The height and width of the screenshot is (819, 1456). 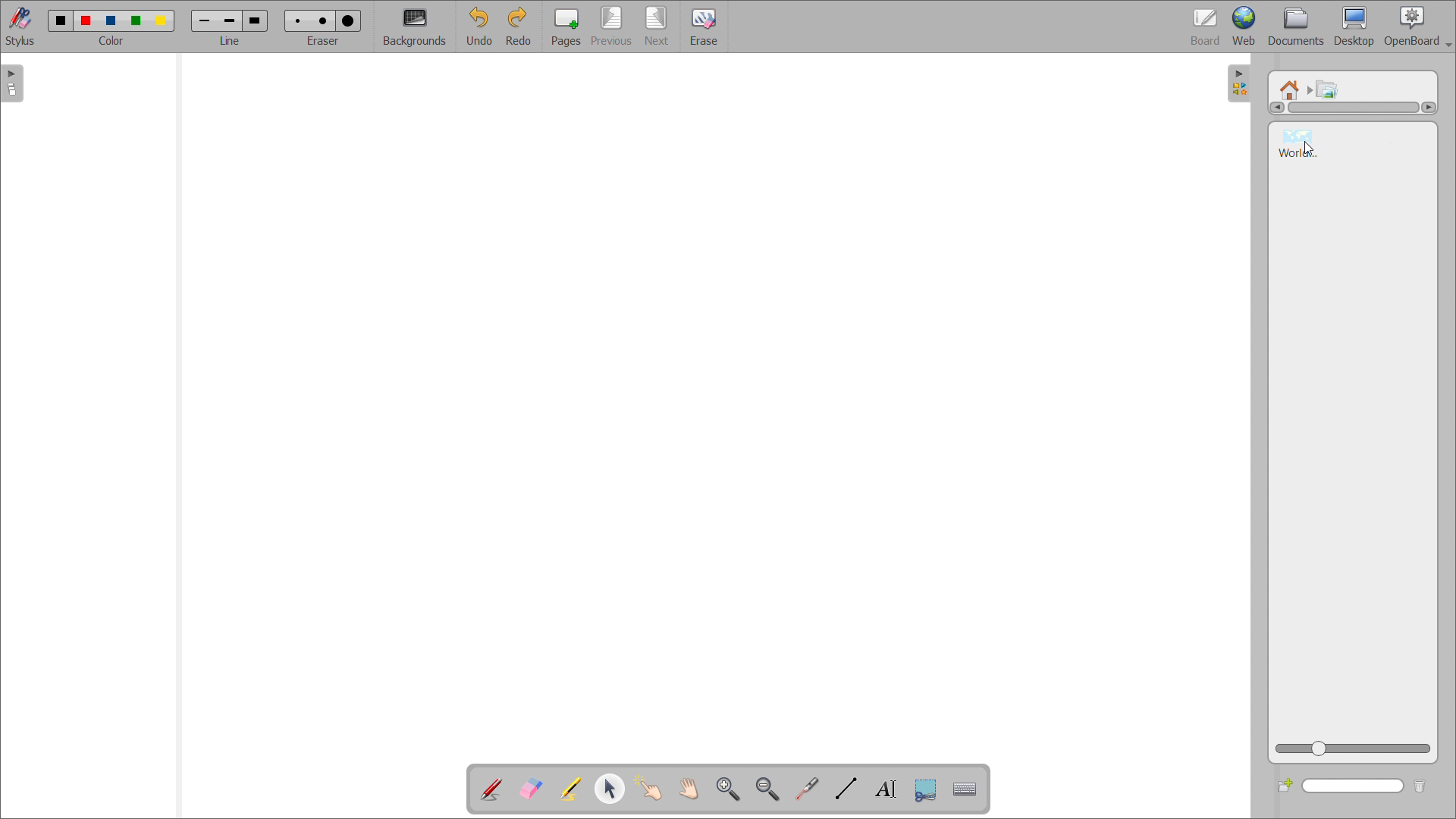 What do you see at coordinates (1206, 27) in the screenshot?
I see `board` at bounding box center [1206, 27].